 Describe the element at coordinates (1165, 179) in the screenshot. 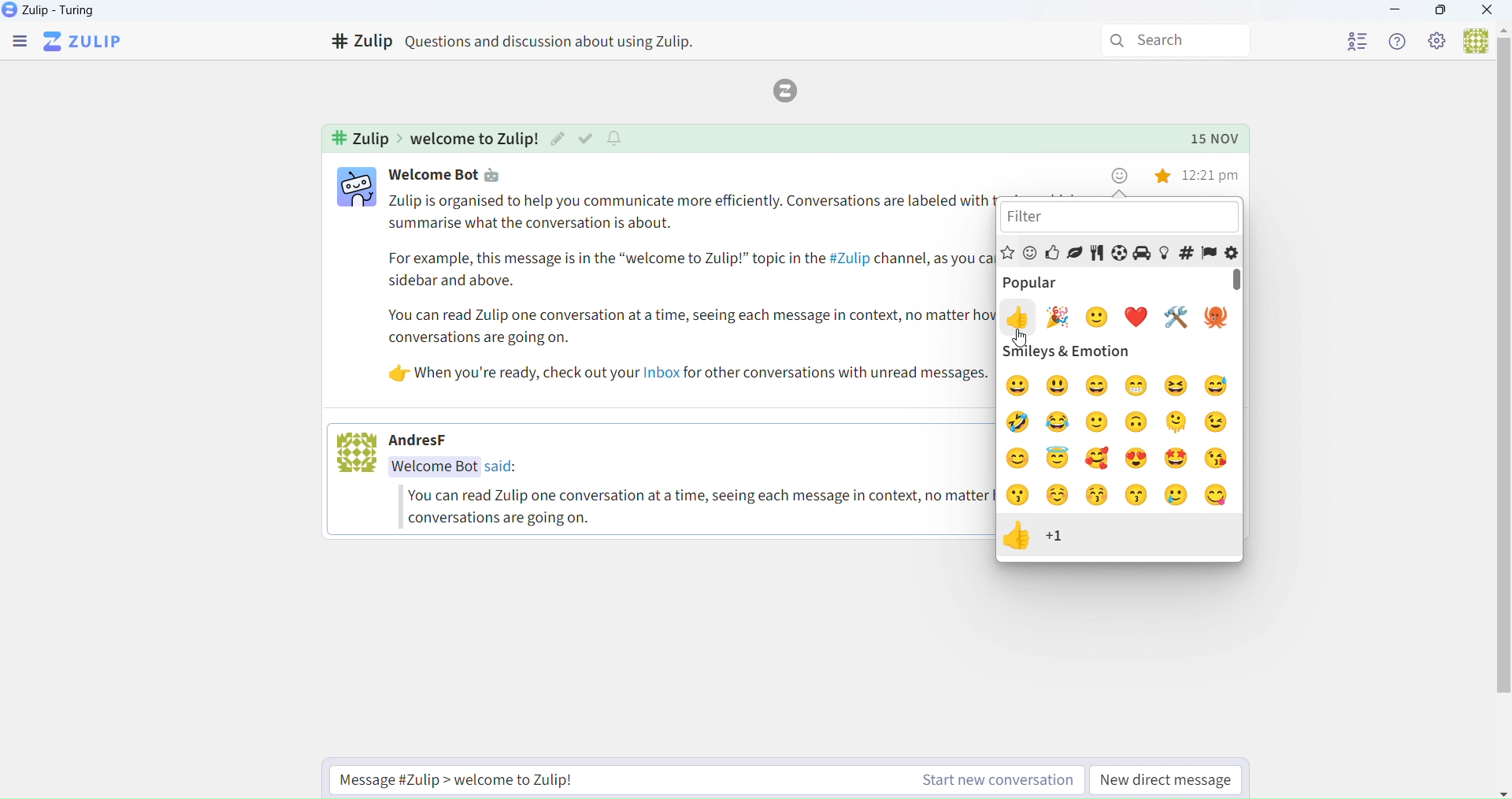

I see `star` at that location.